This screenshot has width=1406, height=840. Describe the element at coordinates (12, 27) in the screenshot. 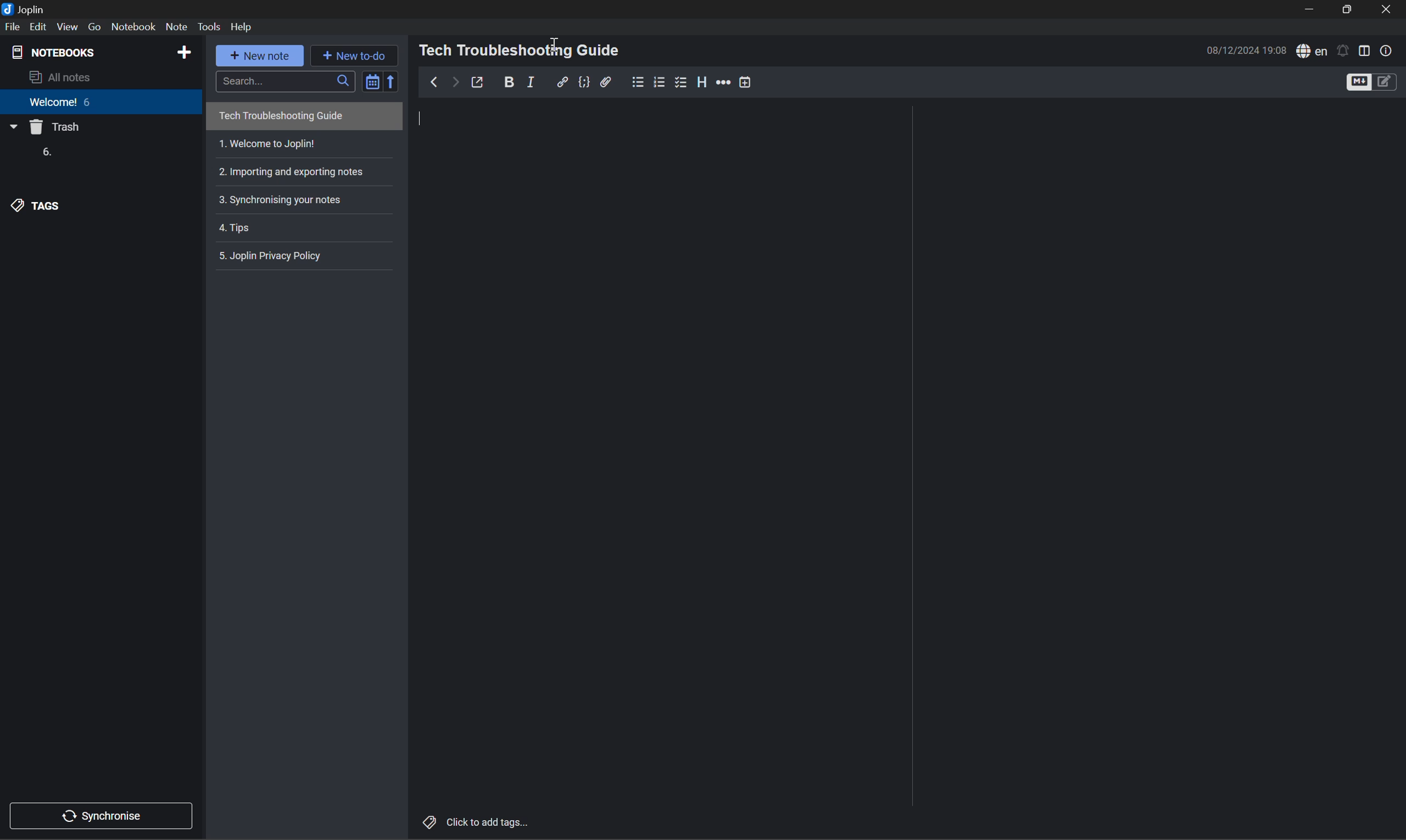

I see `File` at that location.